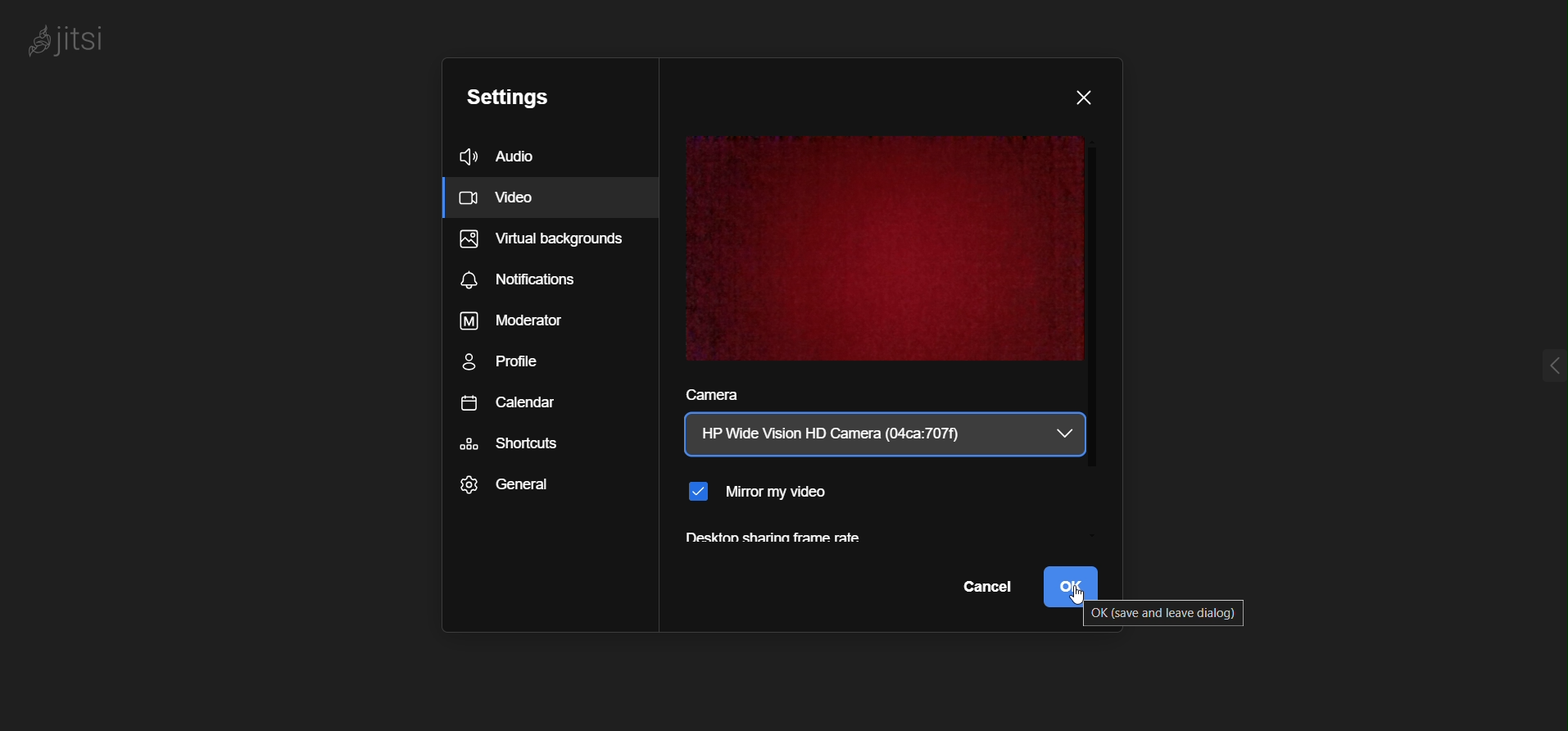  Describe the element at coordinates (1169, 620) in the screenshot. I see `ok(save and leave dialog)` at that location.